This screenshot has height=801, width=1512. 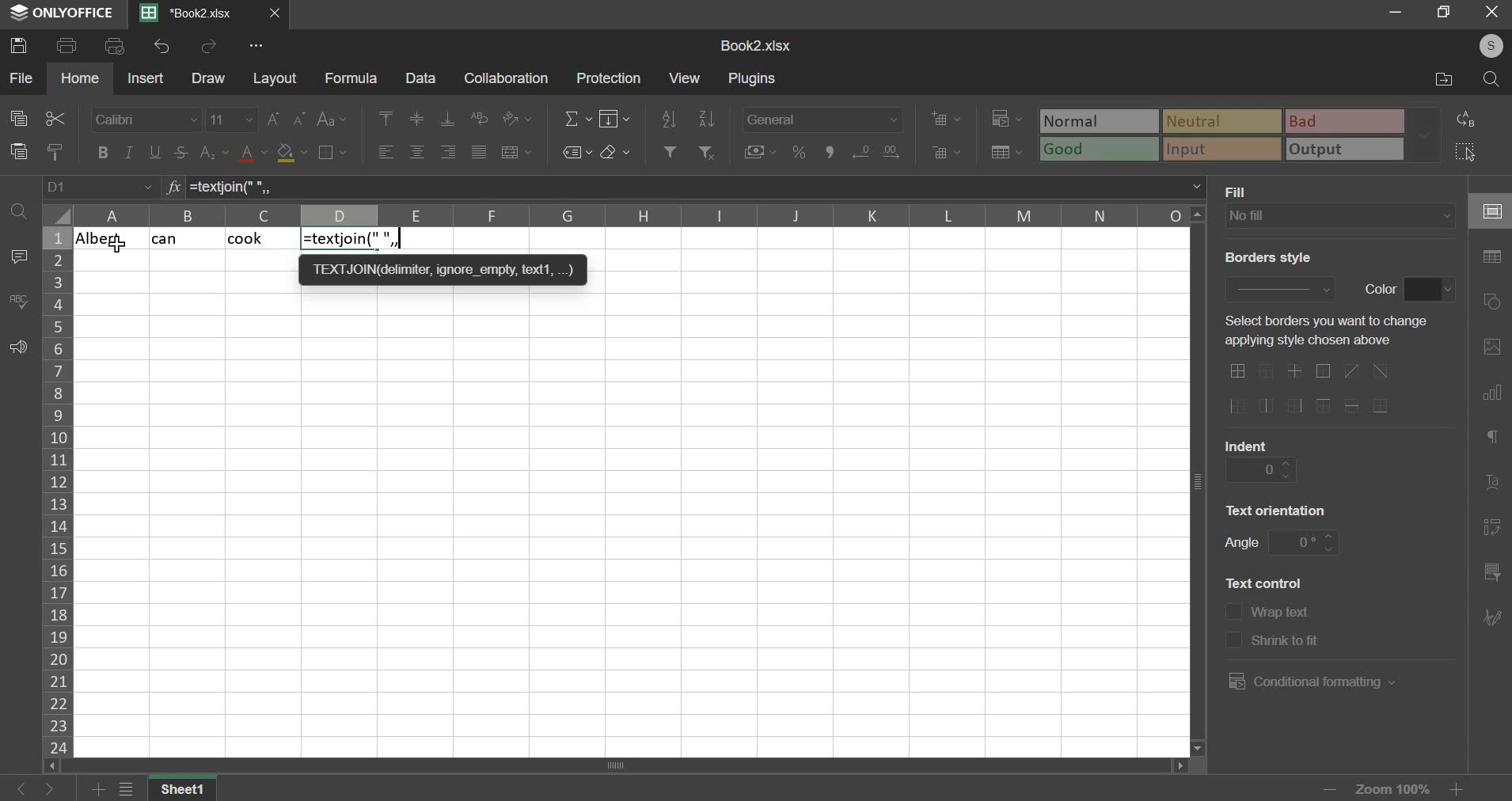 What do you see at coordinates (332, 151) in the screenshot?
I see `border` at bounding box center [332, 151].